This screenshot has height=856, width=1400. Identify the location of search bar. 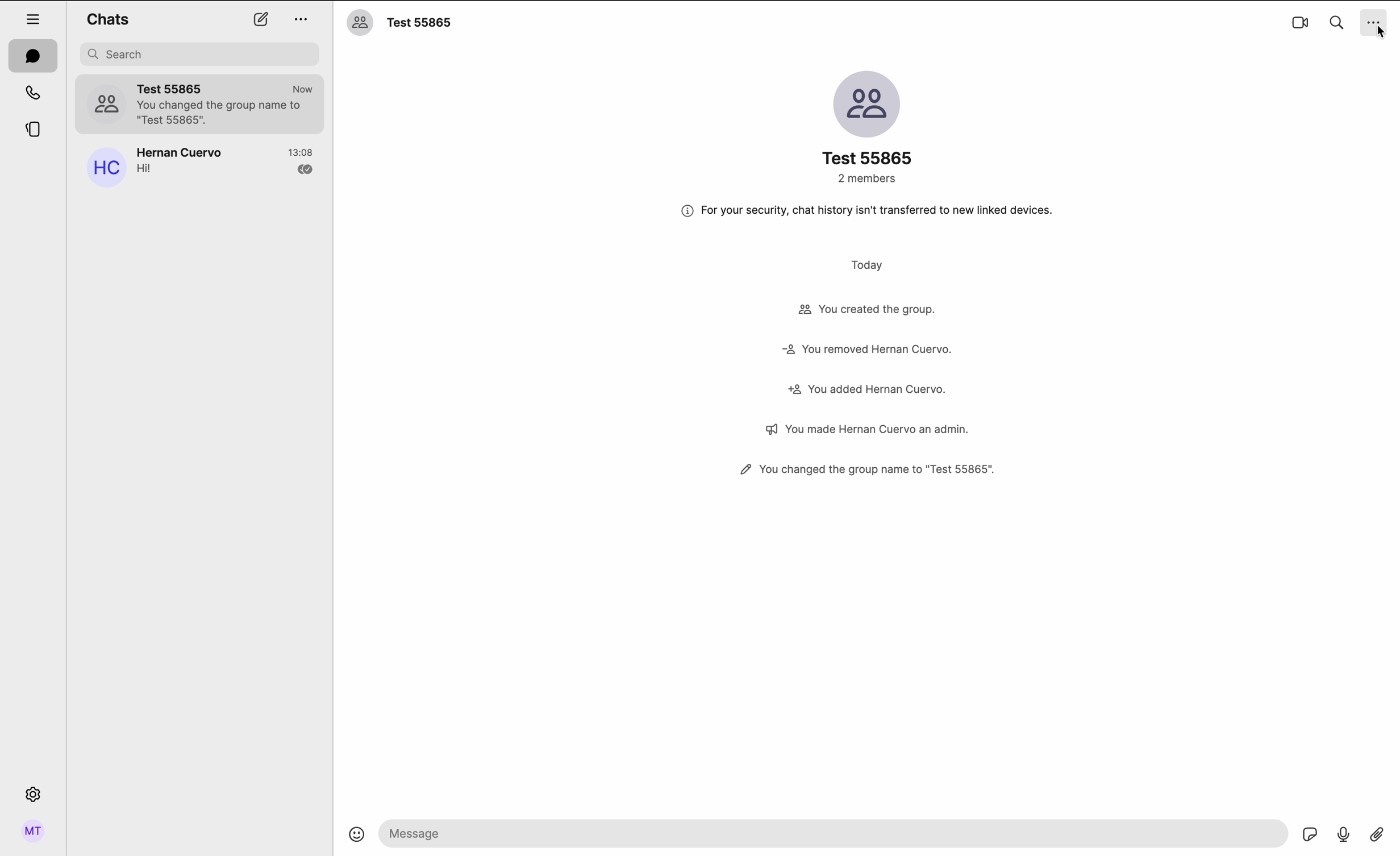
(201, 54).